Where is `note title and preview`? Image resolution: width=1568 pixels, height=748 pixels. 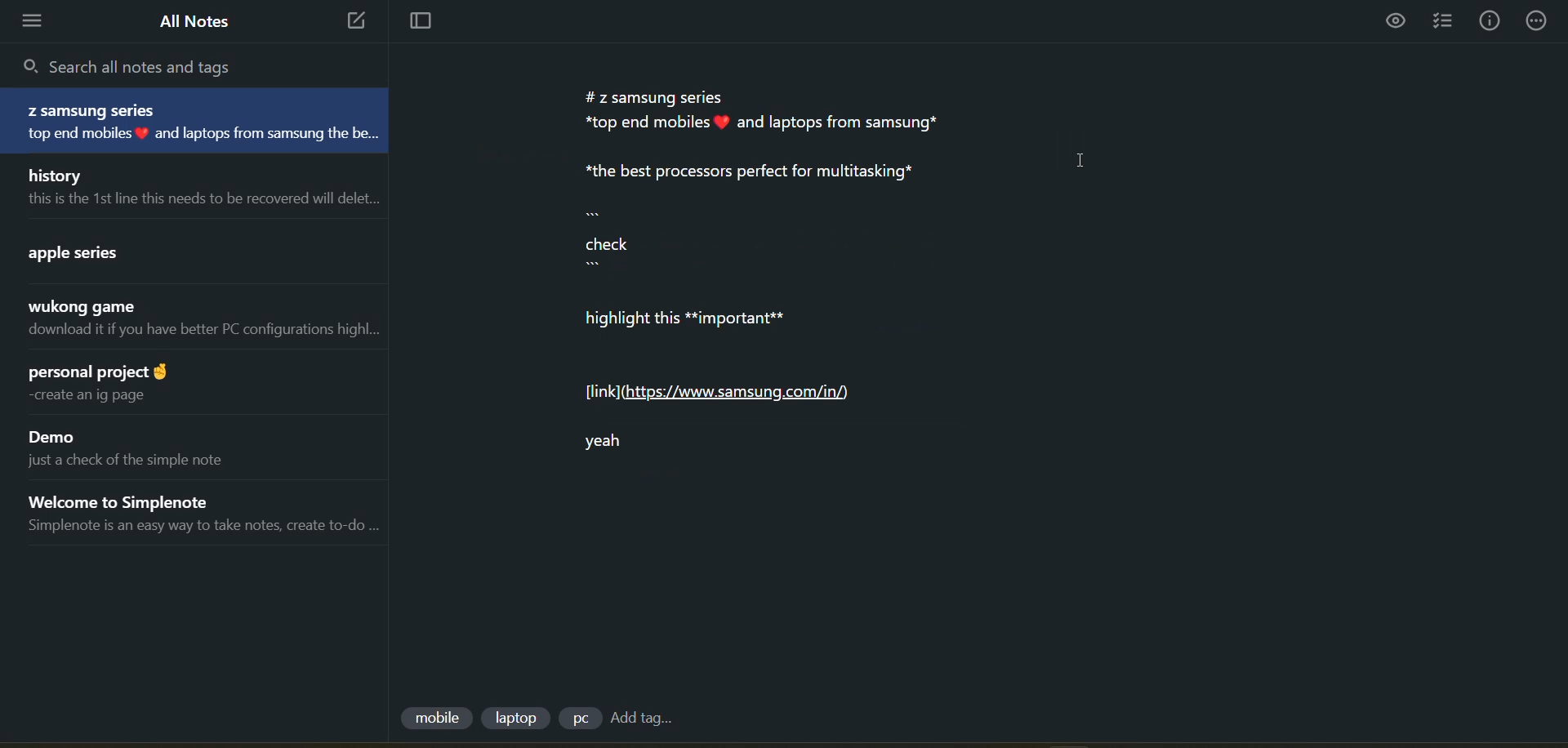 note title and preview is located at coordinates (201, 122).